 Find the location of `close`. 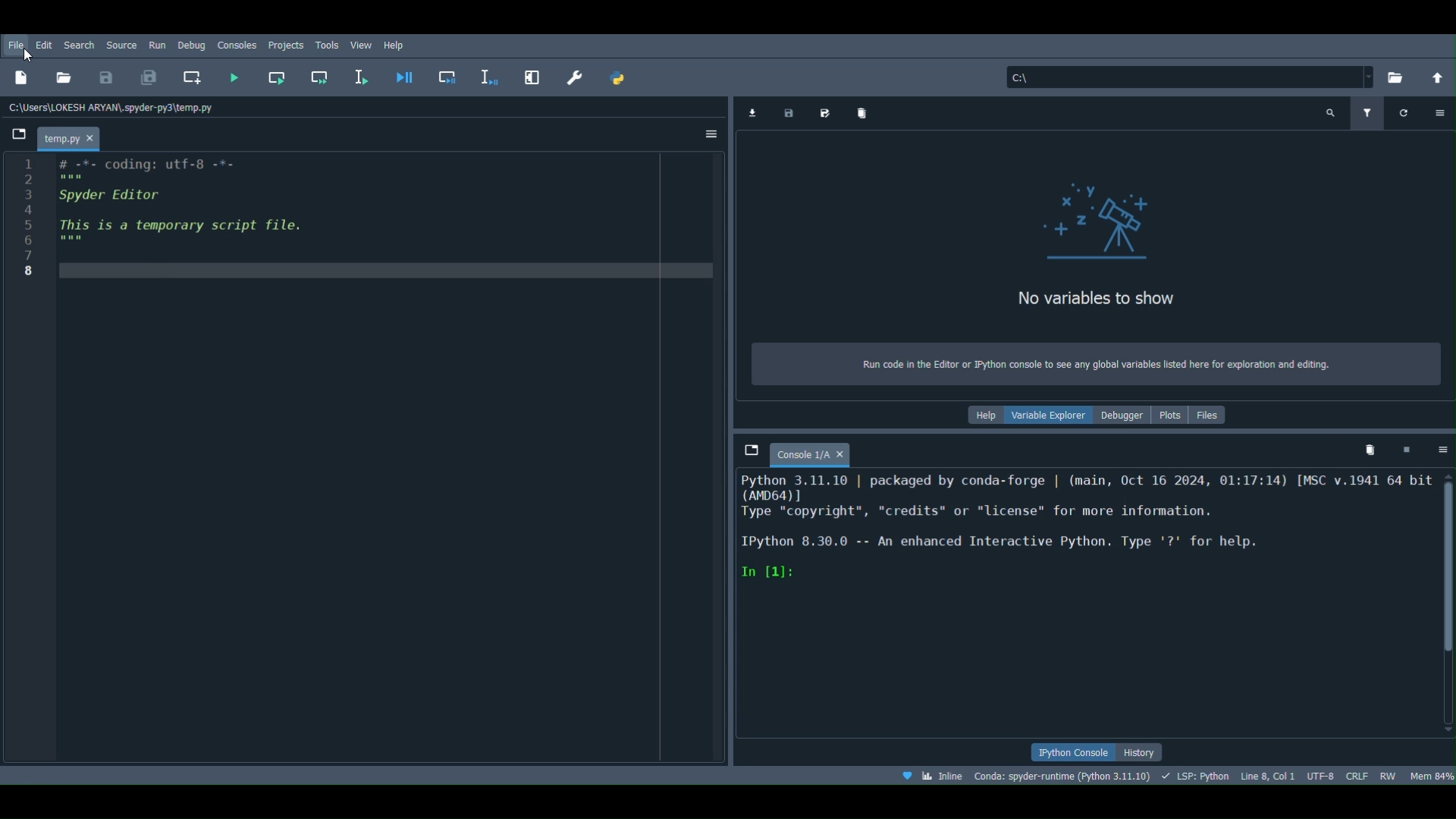

close is located at coordinates (840, 453).